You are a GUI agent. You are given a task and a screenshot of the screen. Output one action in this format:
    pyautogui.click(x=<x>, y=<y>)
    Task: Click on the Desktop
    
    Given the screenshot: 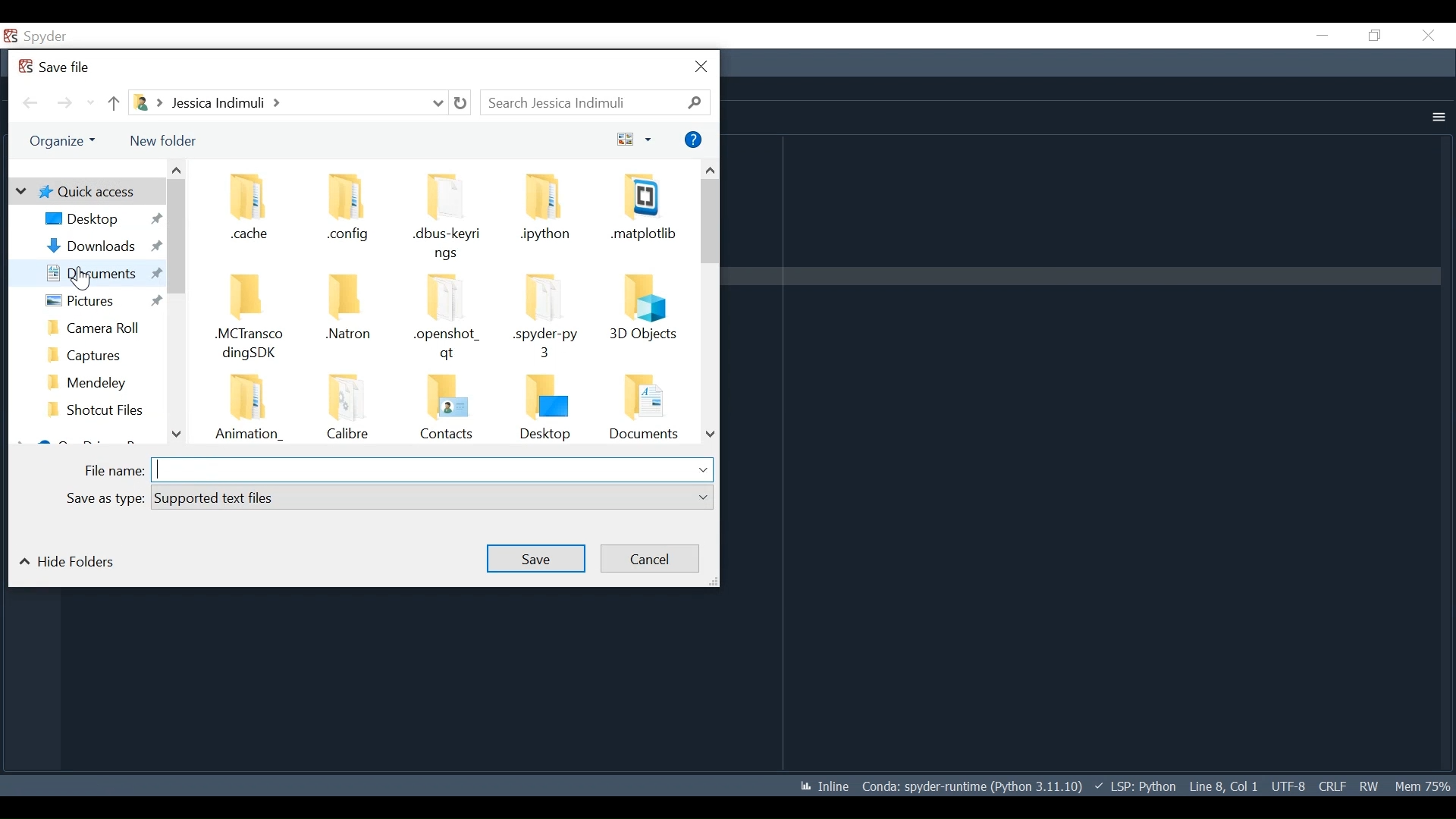 What is the action you would take?
    pyautogui.click(x=102, y=218)
    